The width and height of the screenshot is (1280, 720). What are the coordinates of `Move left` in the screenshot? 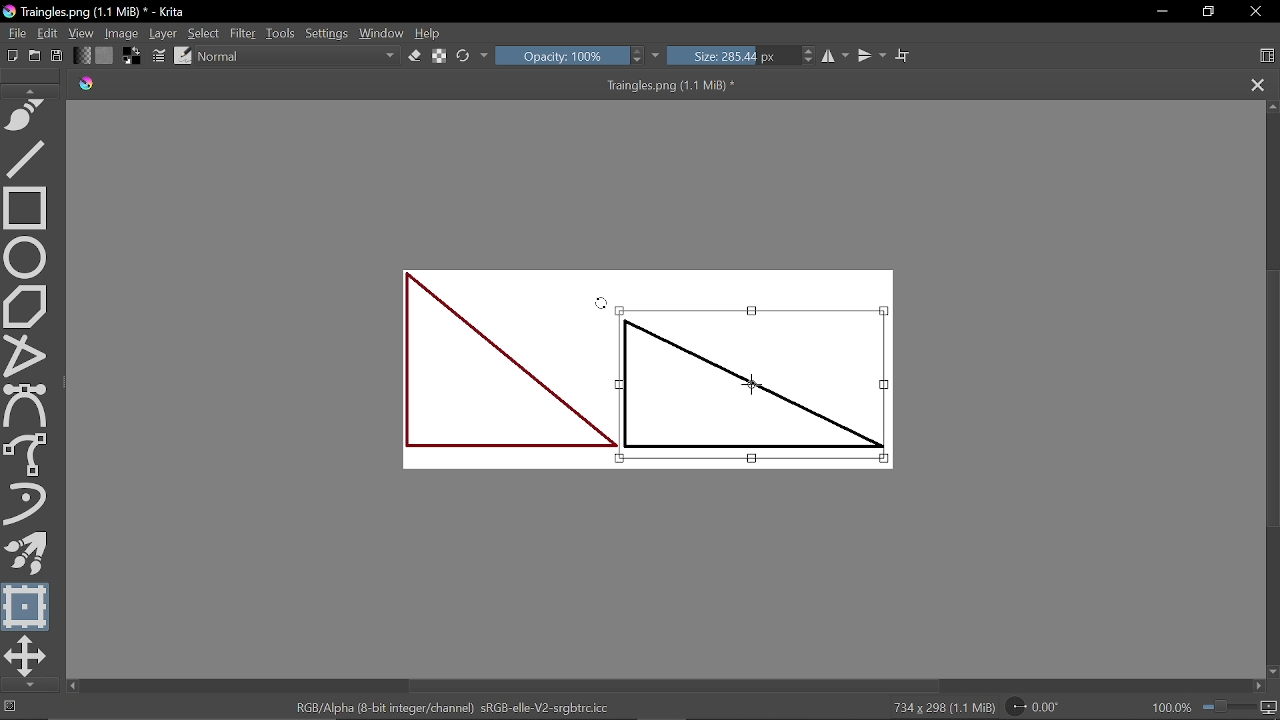 It's located at (72, 686).